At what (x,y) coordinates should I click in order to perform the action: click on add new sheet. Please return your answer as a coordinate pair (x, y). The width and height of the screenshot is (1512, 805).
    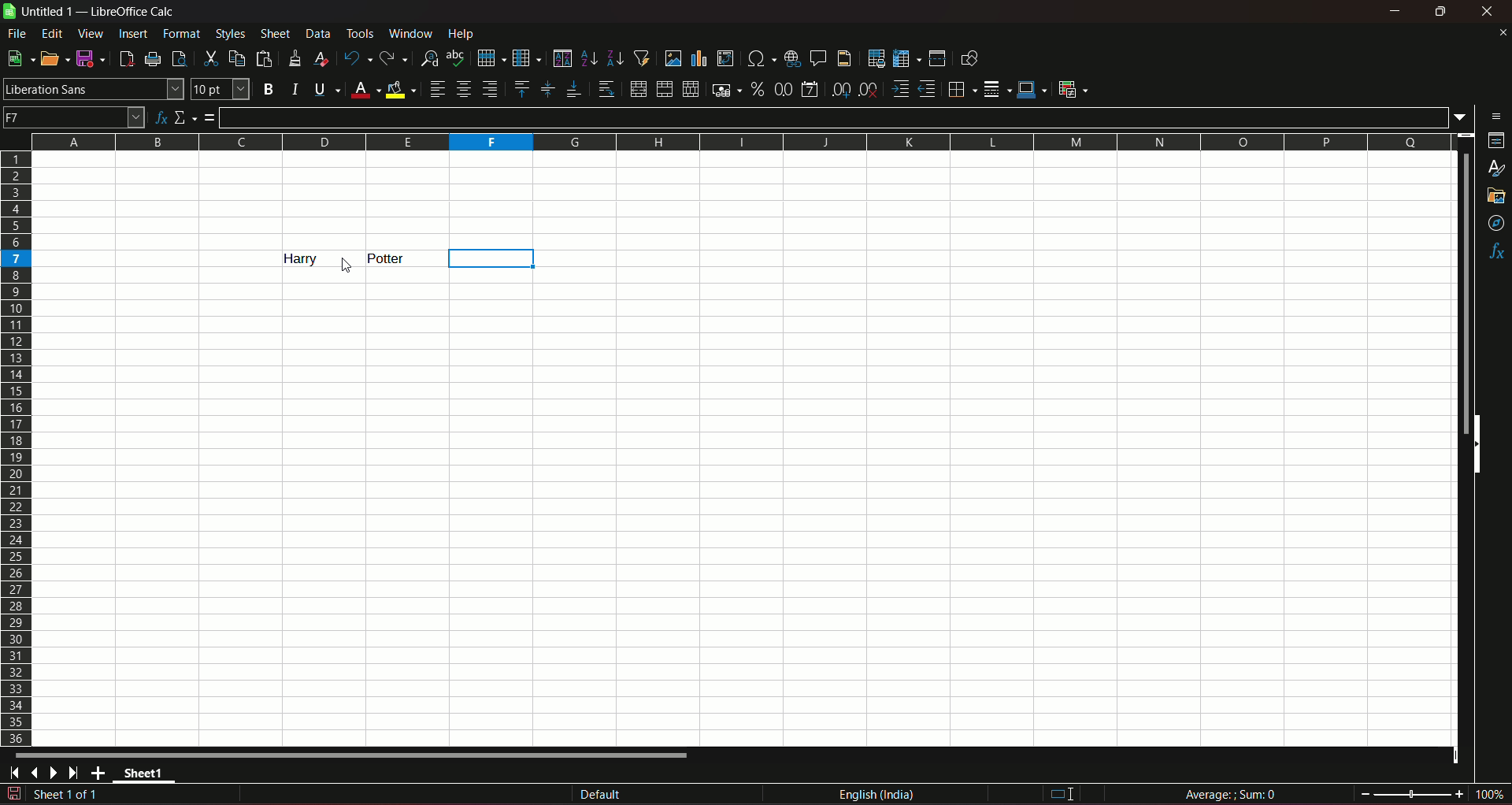
    Looking at the image, I should click on (100, 773).